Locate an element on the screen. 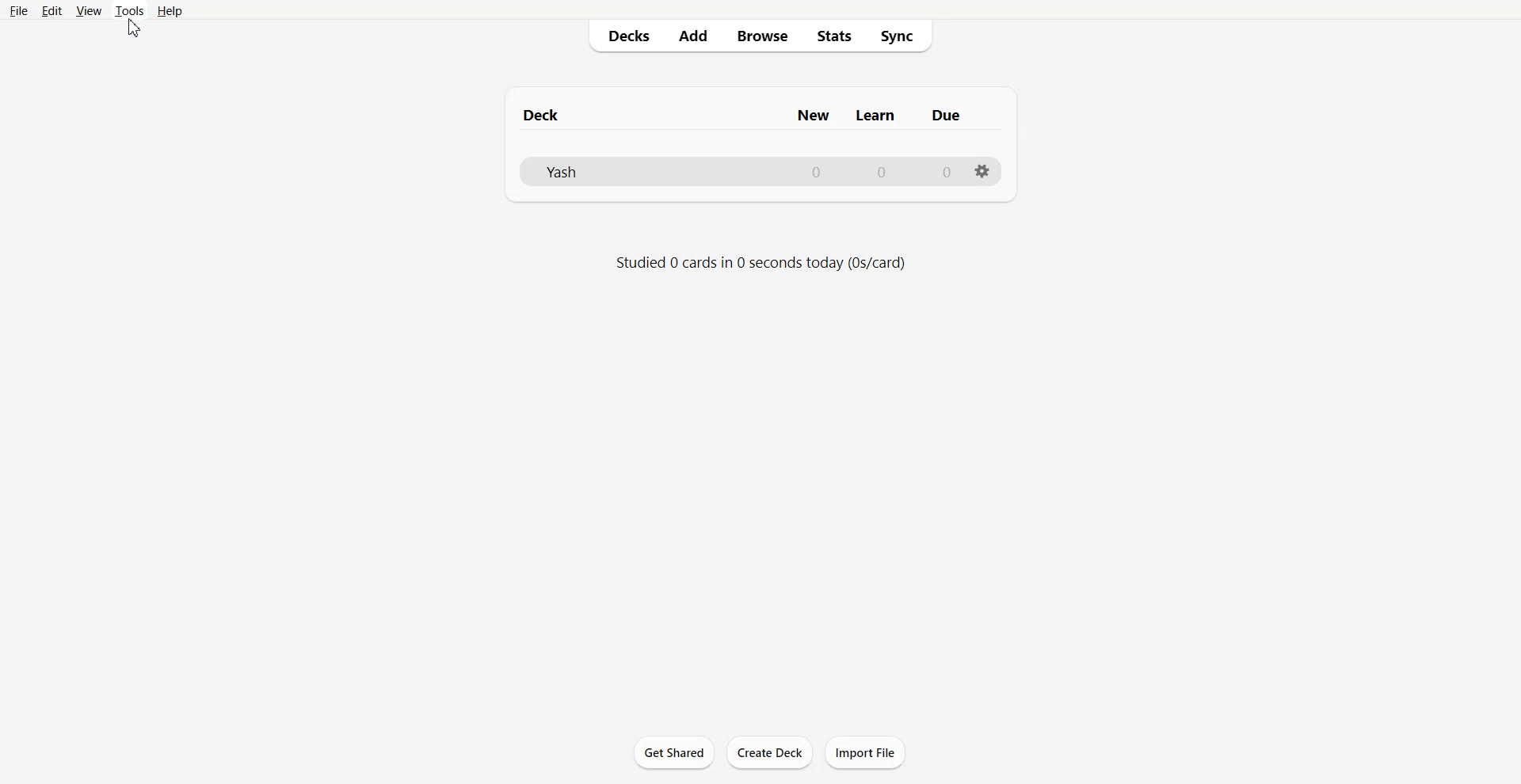 This screenshot has width=1521, height=784. Text 1 is located at coordinates (542, 115).